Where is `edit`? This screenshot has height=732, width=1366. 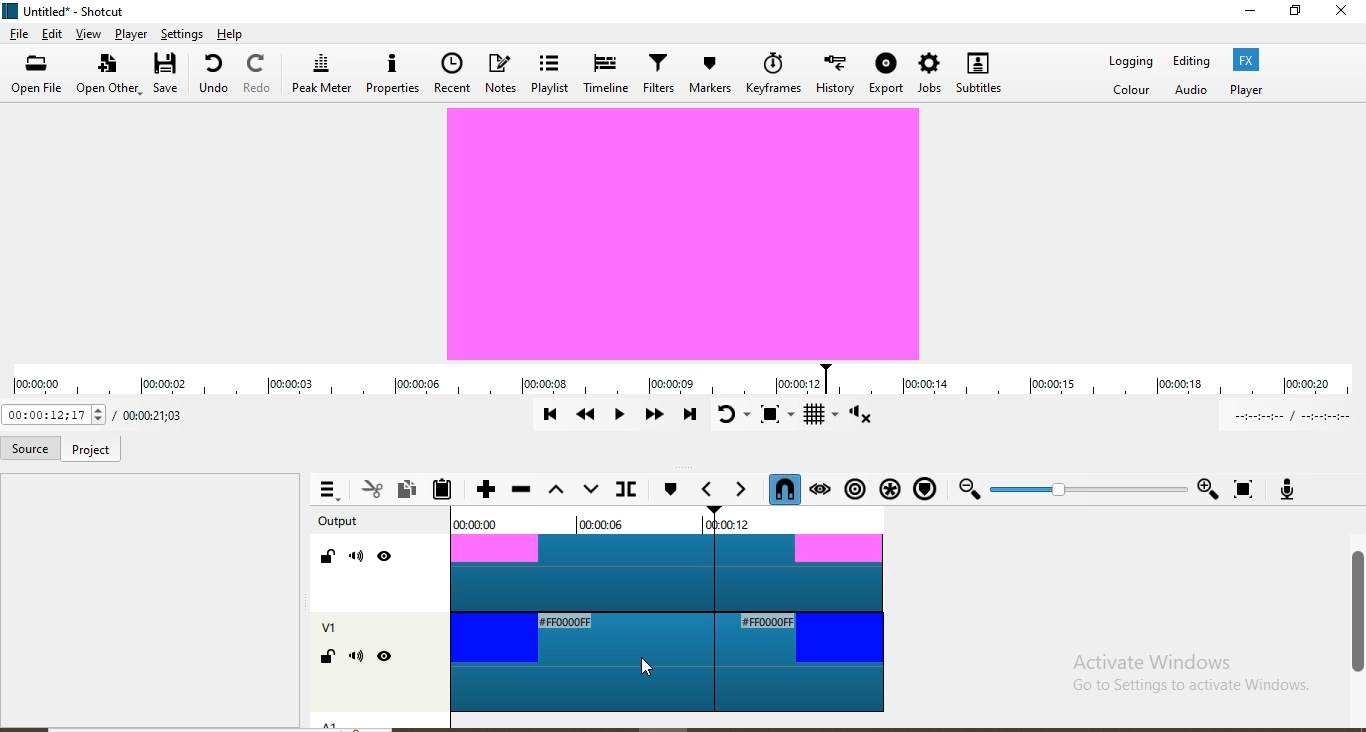
edit is located at coordinates (51, 34).